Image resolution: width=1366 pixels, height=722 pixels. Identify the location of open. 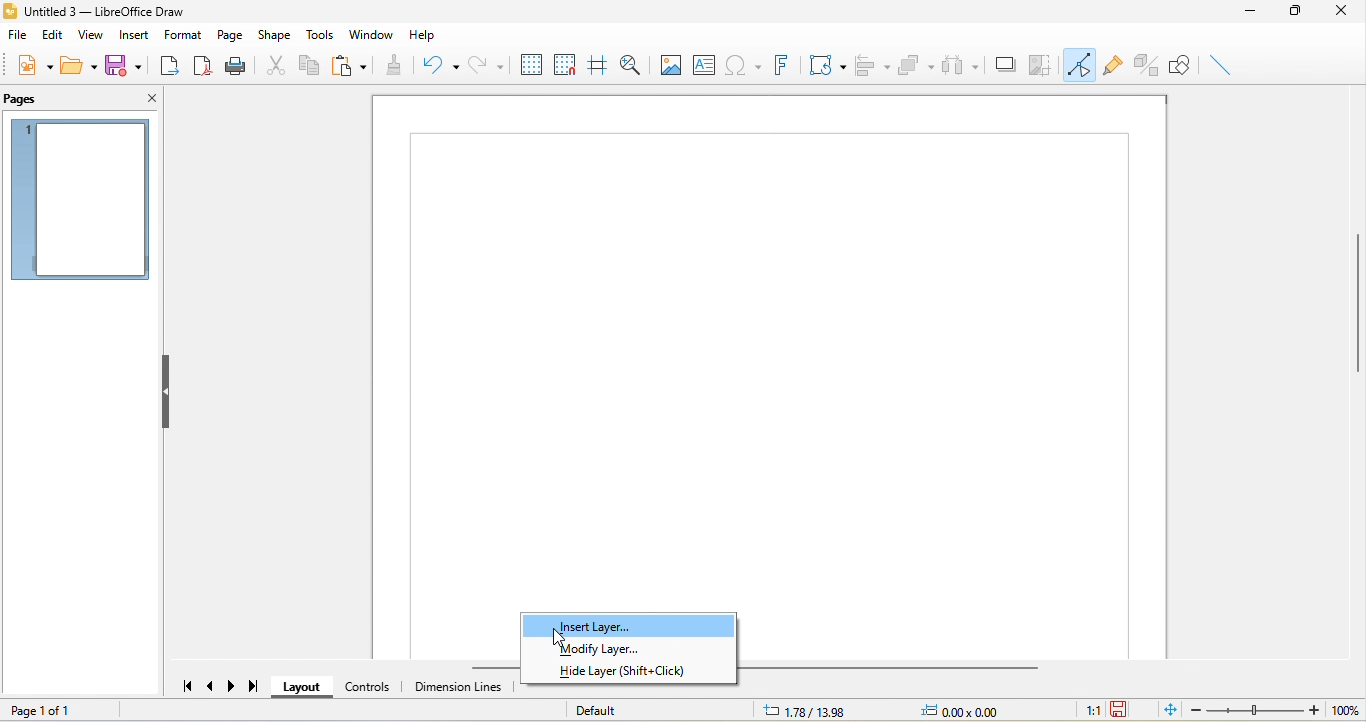
(80, 67).